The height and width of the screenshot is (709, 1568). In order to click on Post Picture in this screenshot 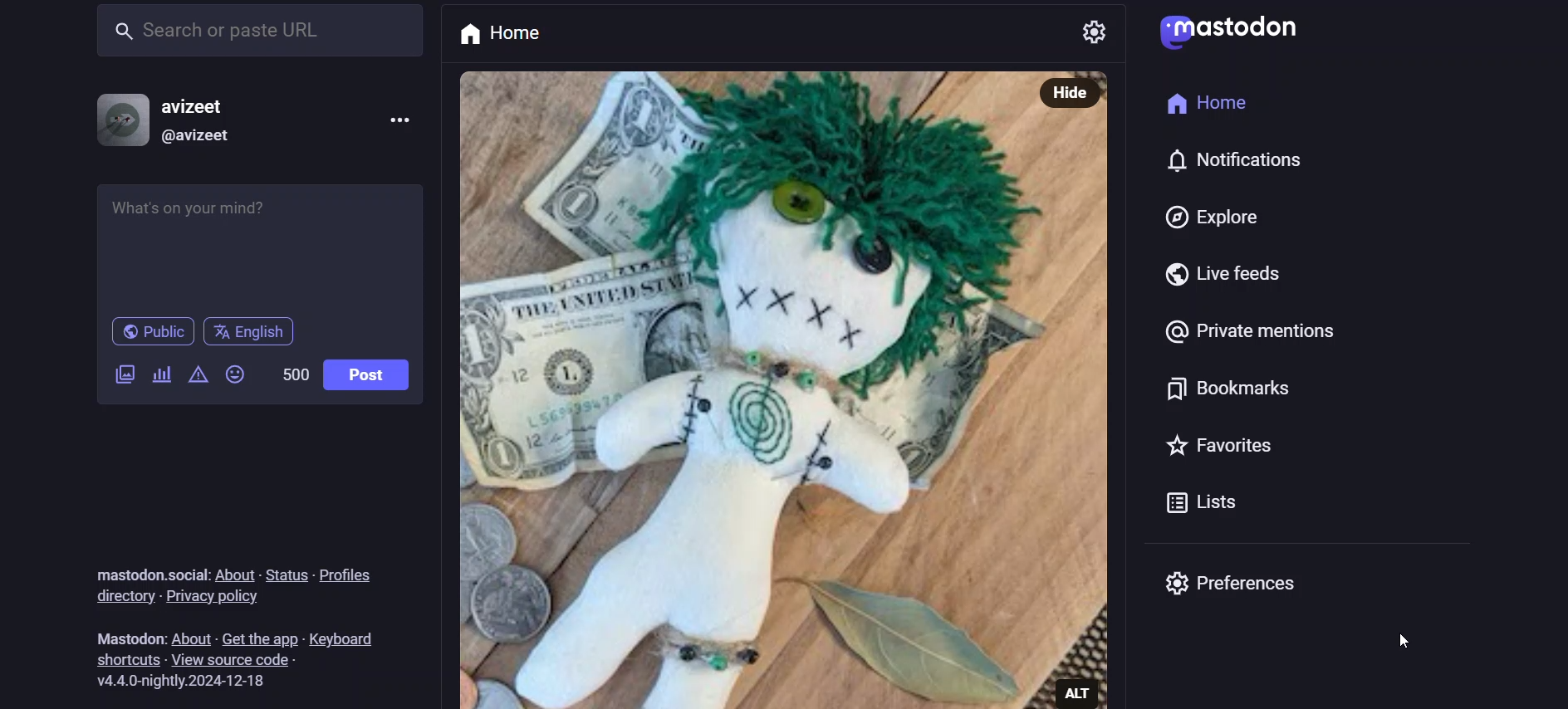, I will do `click(737, 389)`.